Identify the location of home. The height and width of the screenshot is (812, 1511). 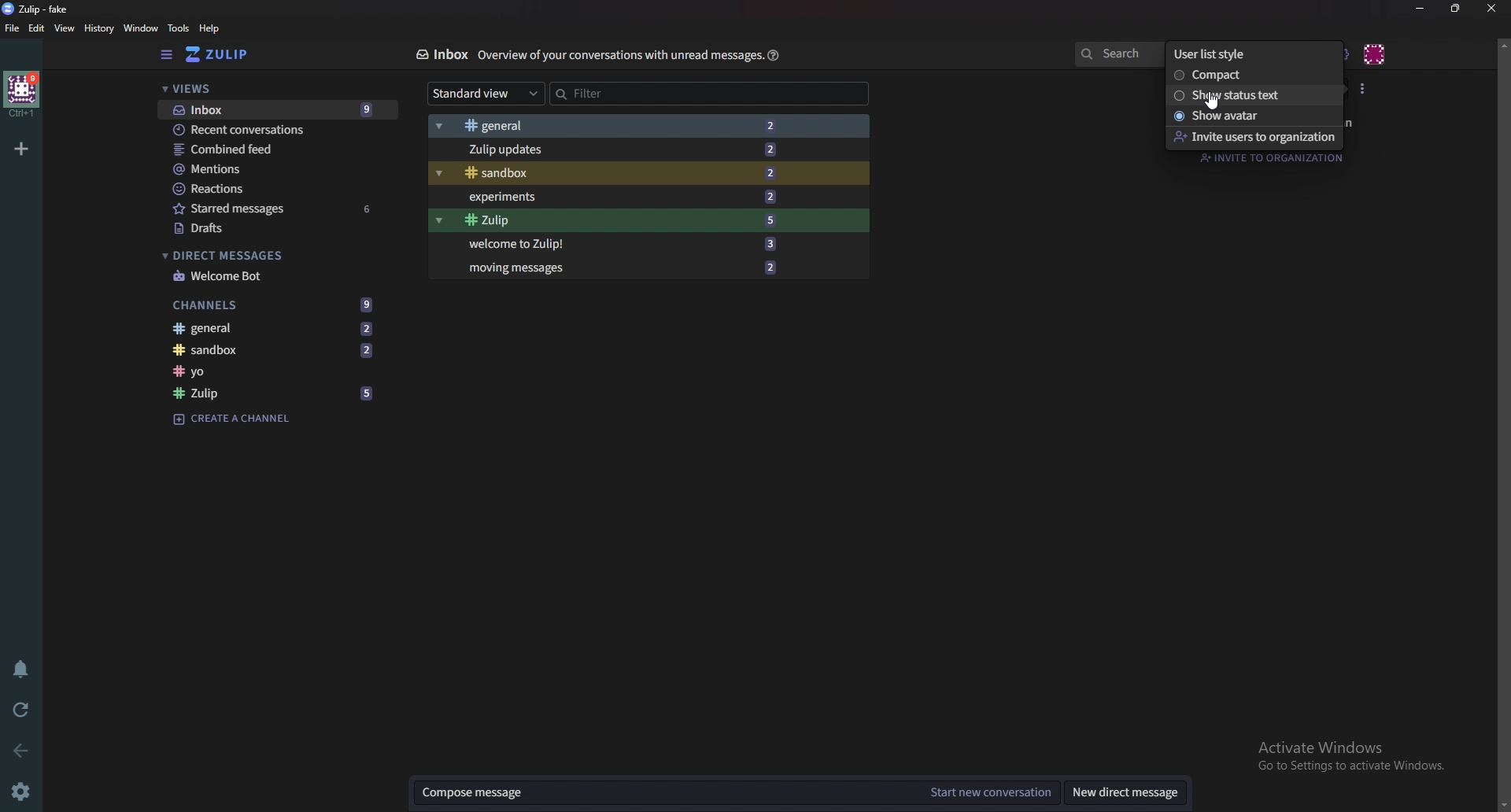
(22, 94).